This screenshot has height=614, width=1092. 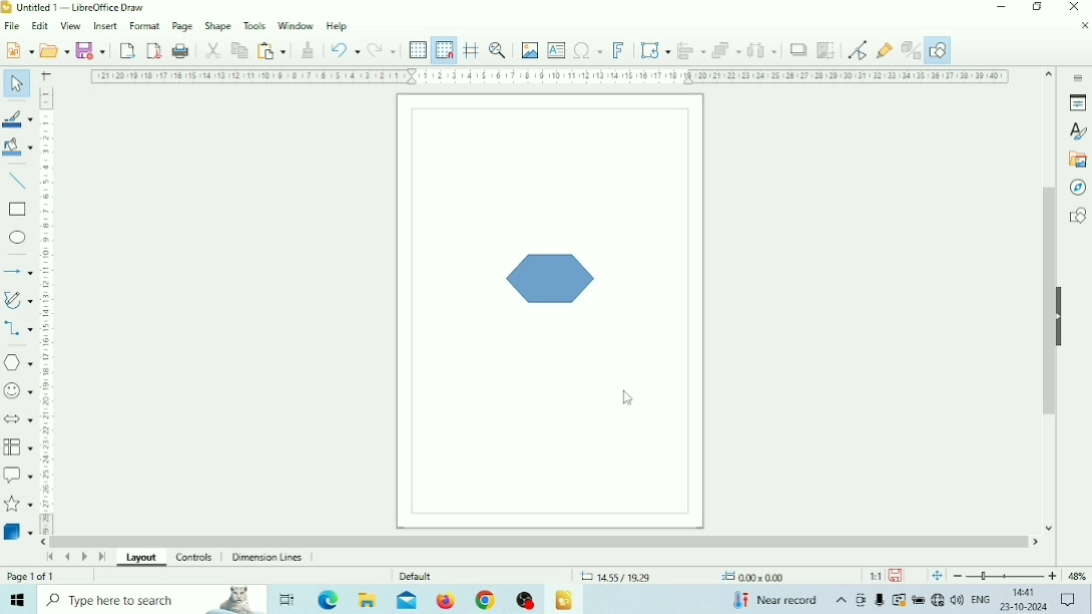 What do you see at coordinates (102, 559) in the screenshot?
I see `Scroll to last page` at bounding box center [102, 559].